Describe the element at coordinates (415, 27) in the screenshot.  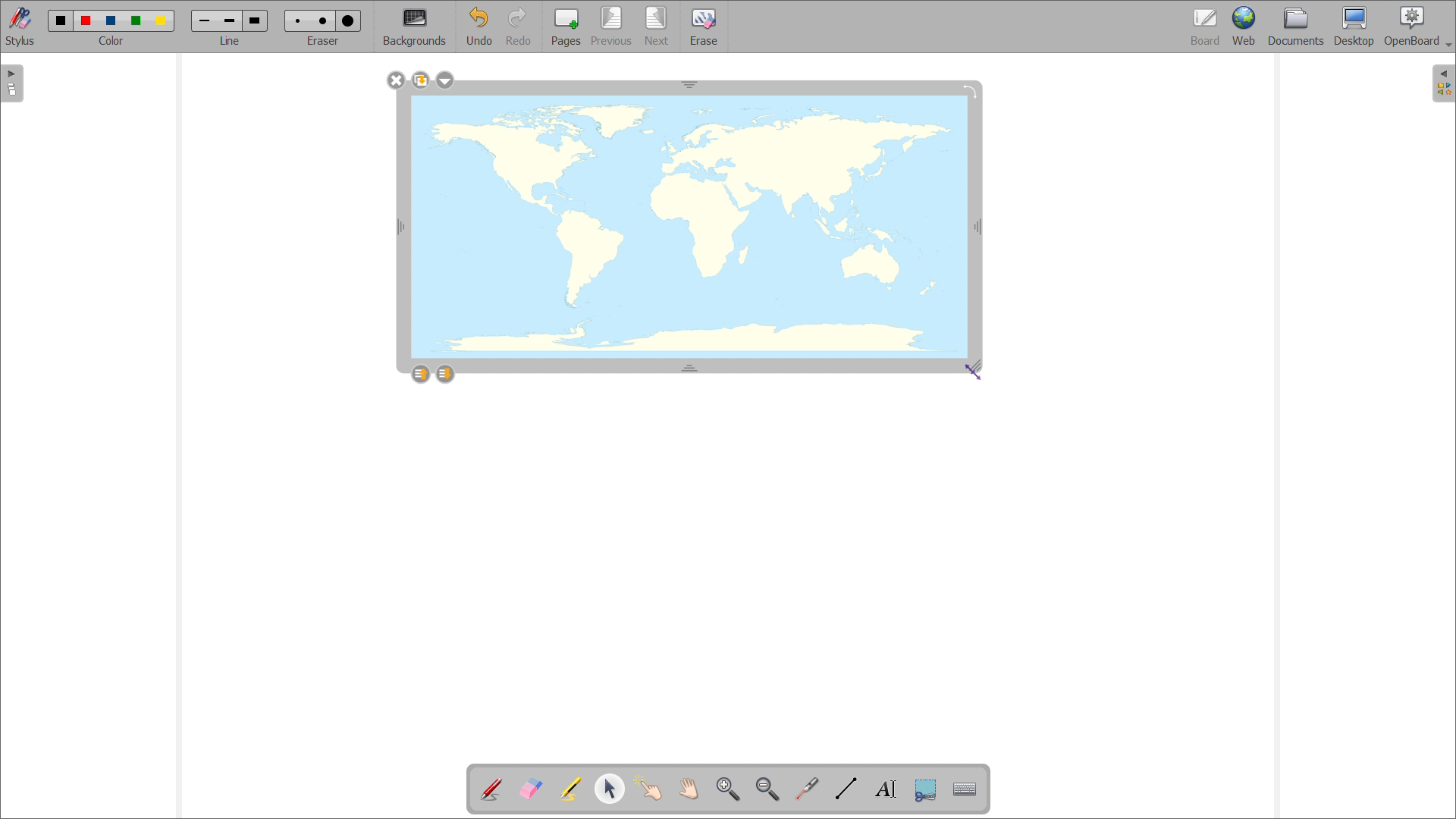
I see `backgrounds` at that location.